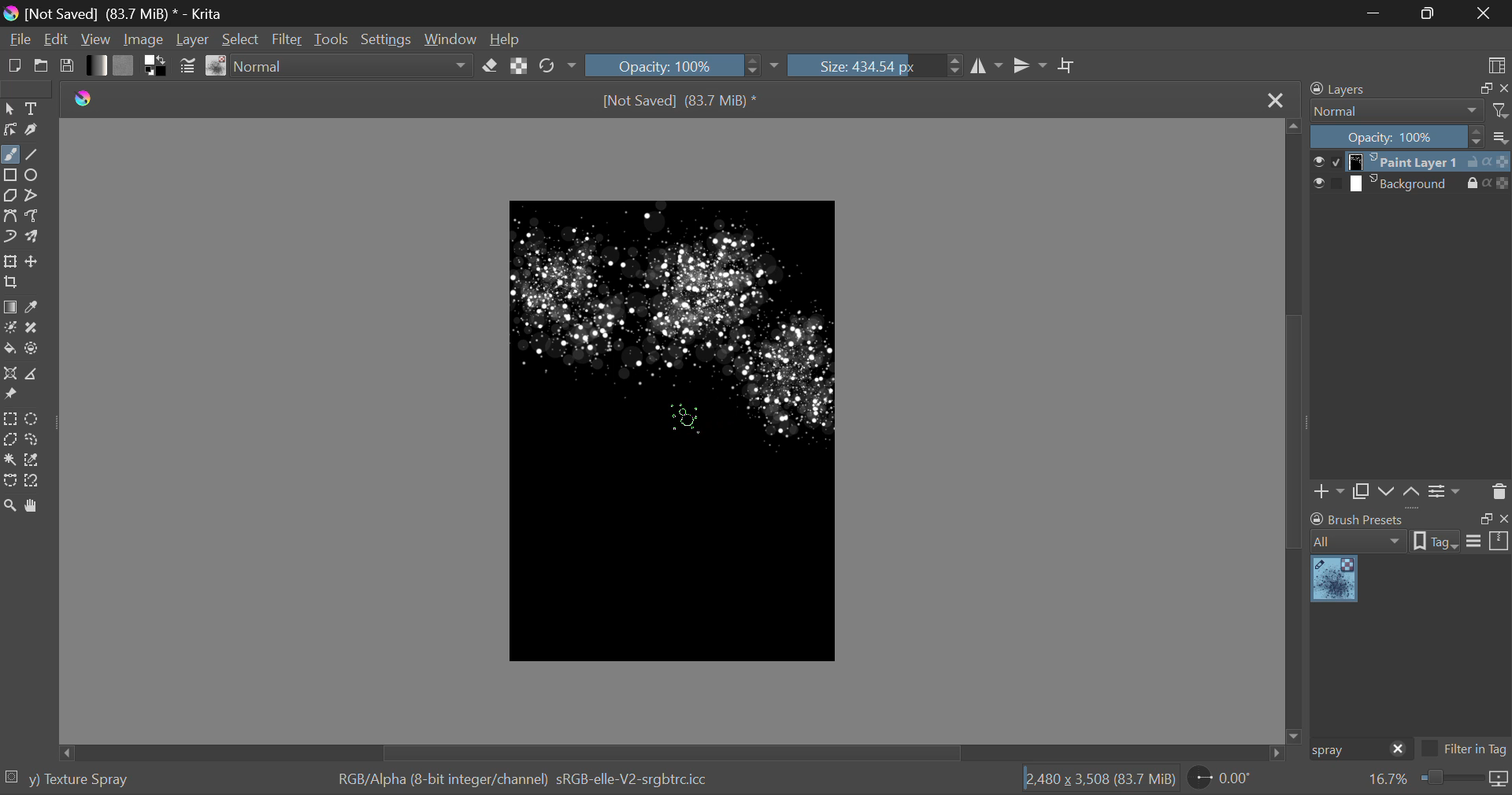 The height and width of the screenshot is (795, 1512). Describe the element at coordinates (1221, 777) in the screenshot. I see `page rotation` at that location.